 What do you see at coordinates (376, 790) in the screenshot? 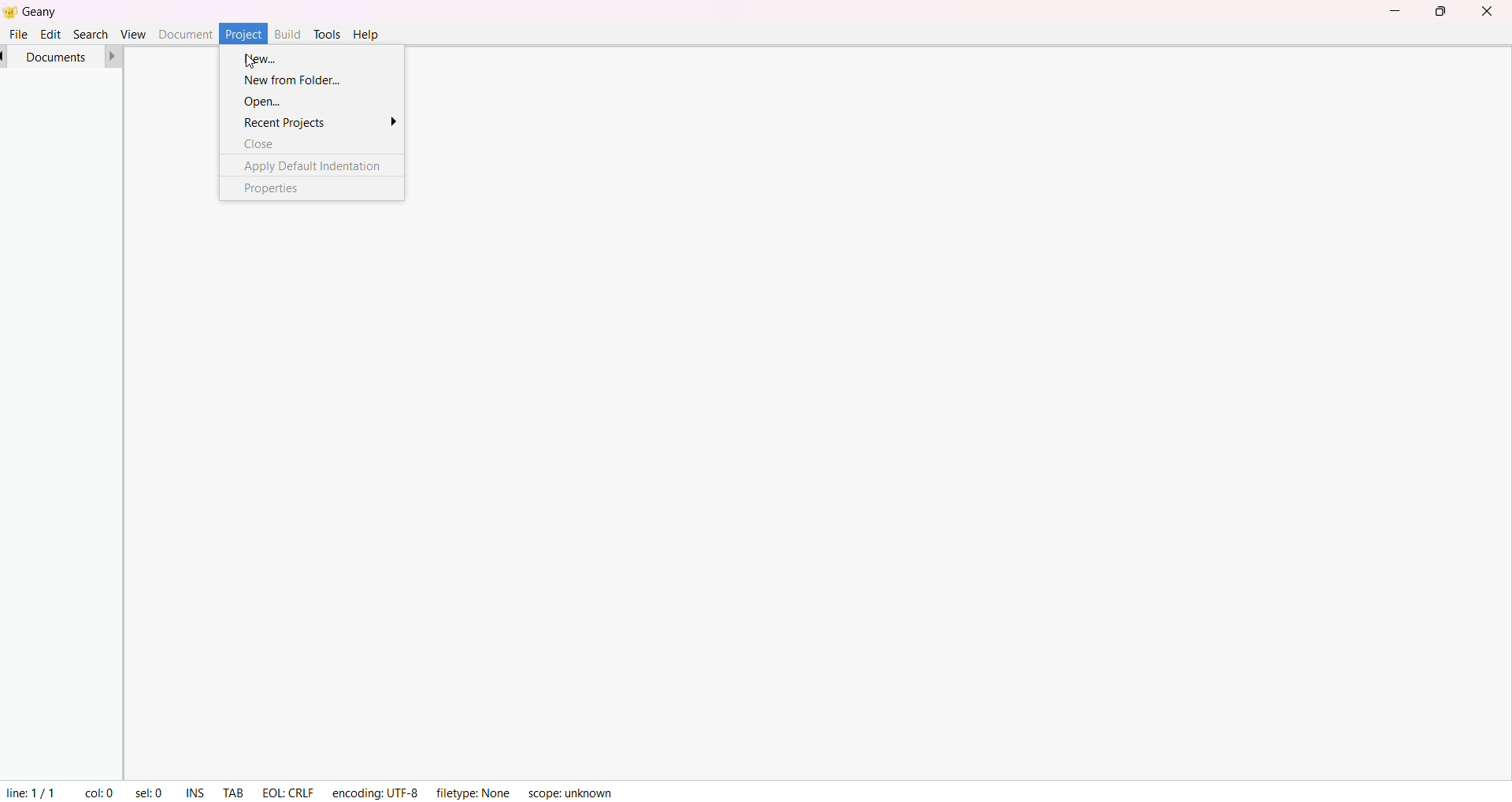
I see `encoding: UTF-8` at bounding box center [376, 790].